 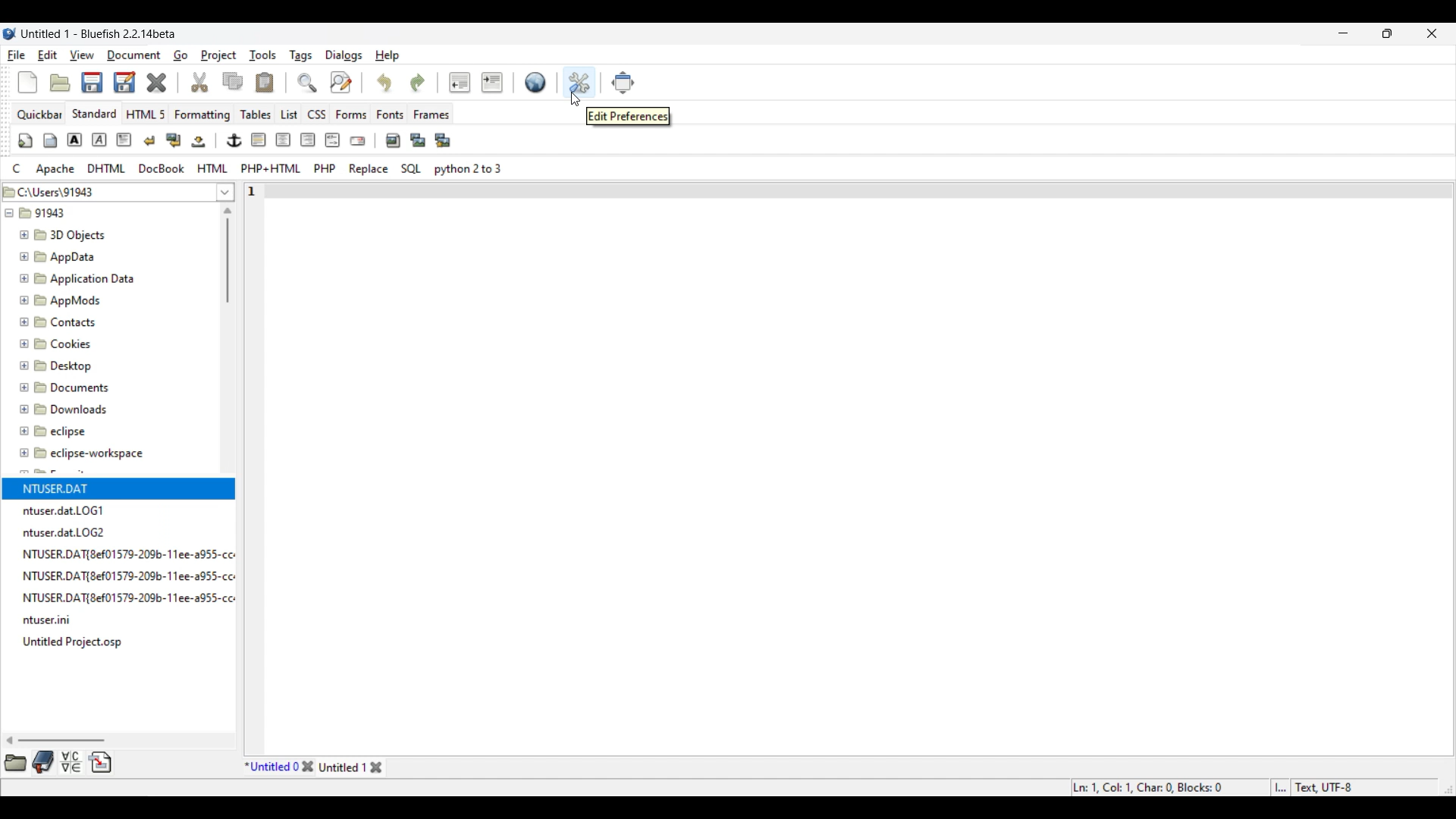 I want to click on Search and replace, so click(x=324, y=82).